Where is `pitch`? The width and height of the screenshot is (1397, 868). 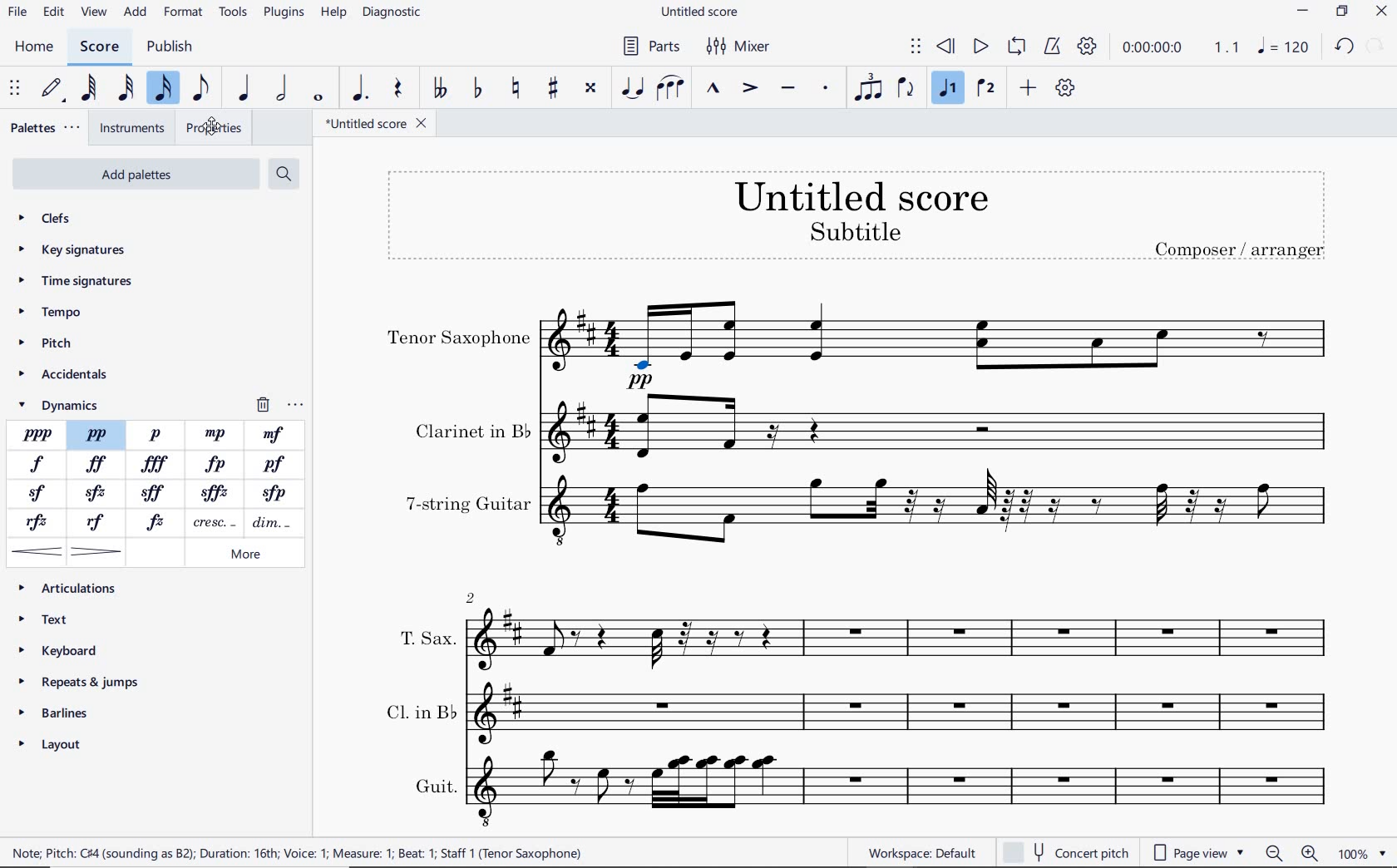
pitch is located at coordinates (47, 345).